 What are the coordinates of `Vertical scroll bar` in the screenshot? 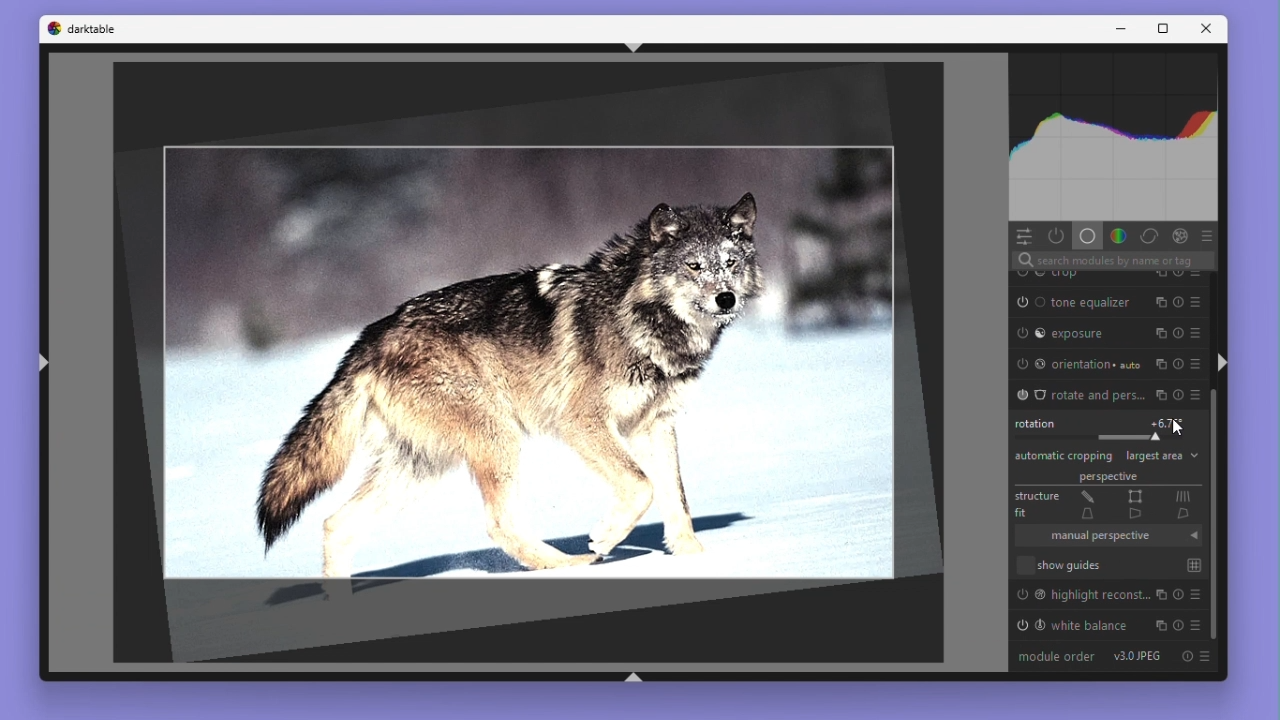 It's located at (1217, 512).